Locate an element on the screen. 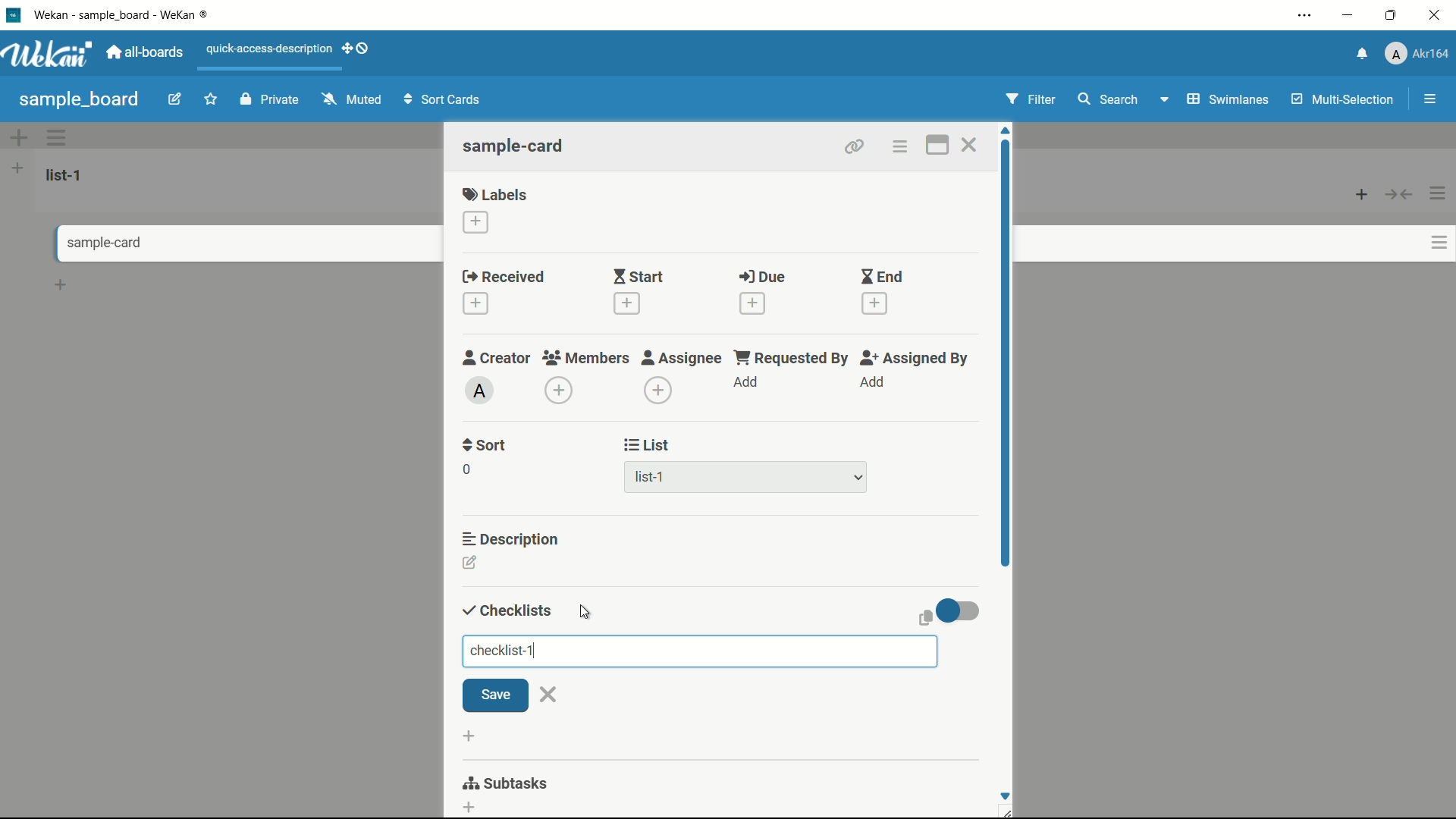 The width and height of the screenshot is (1456, 819). copy text to clipboard is located at coordinates (921, 617).